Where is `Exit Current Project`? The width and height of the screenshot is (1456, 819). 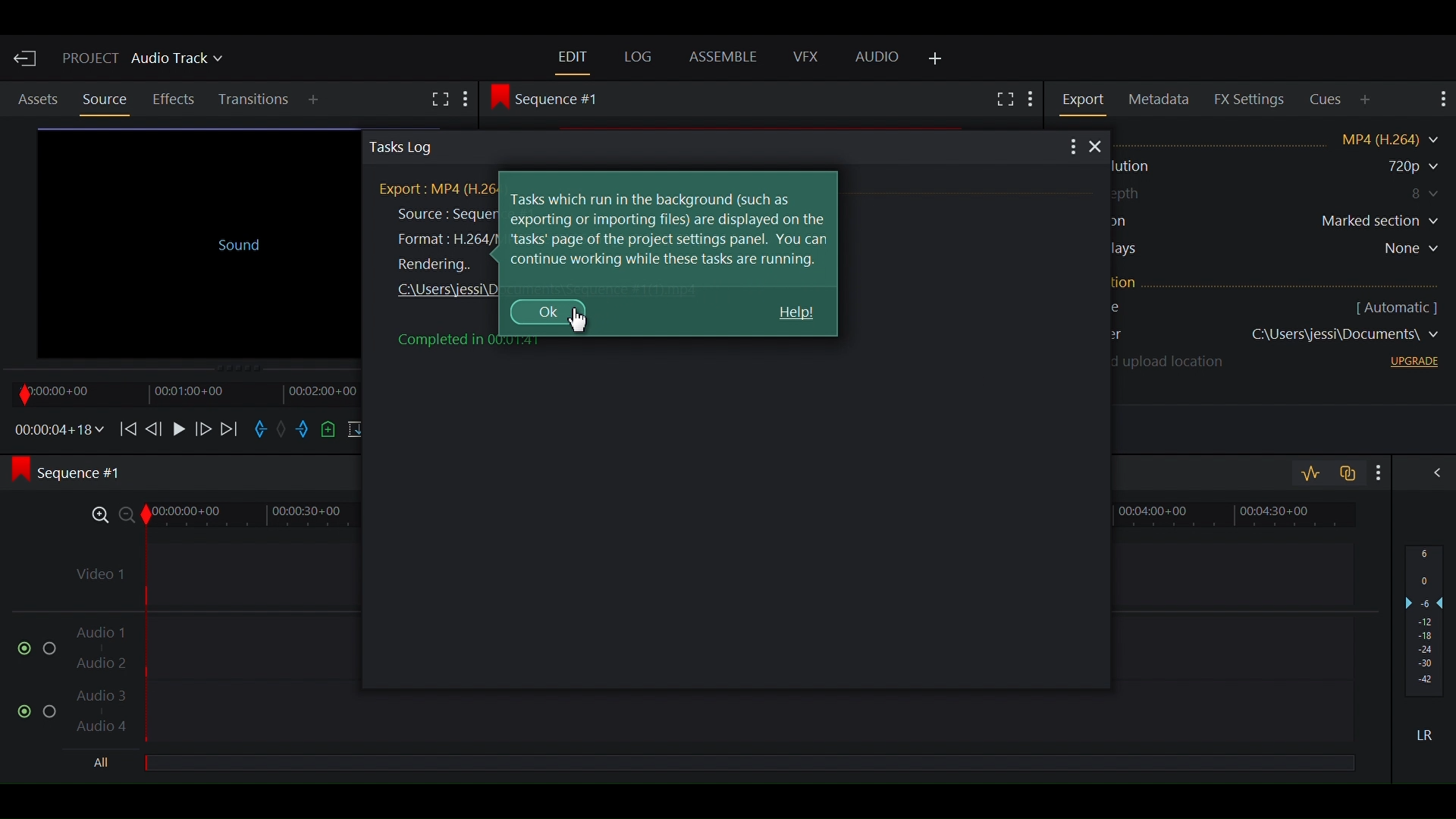 Exit Current Project is located at coordinates (27, 58).